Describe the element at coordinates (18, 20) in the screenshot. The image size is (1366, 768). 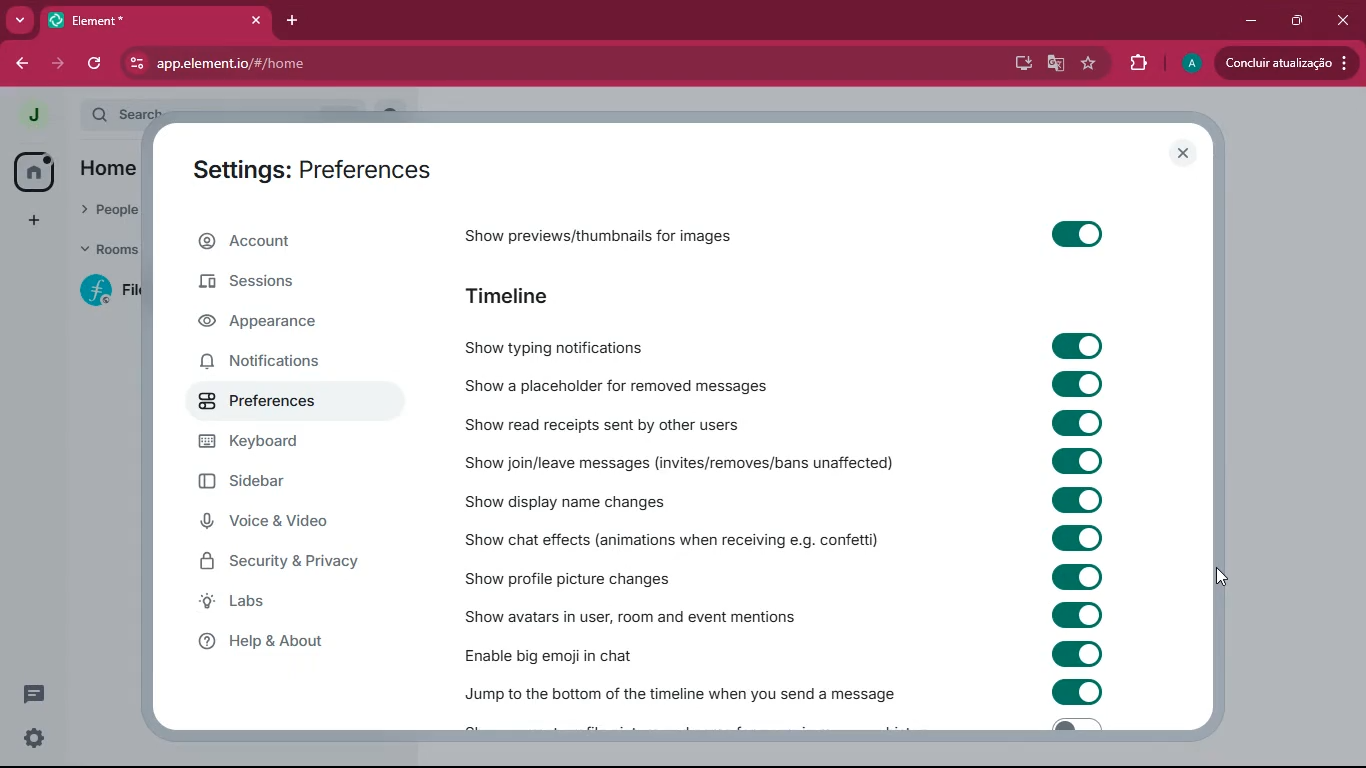
I see `more` at that location.